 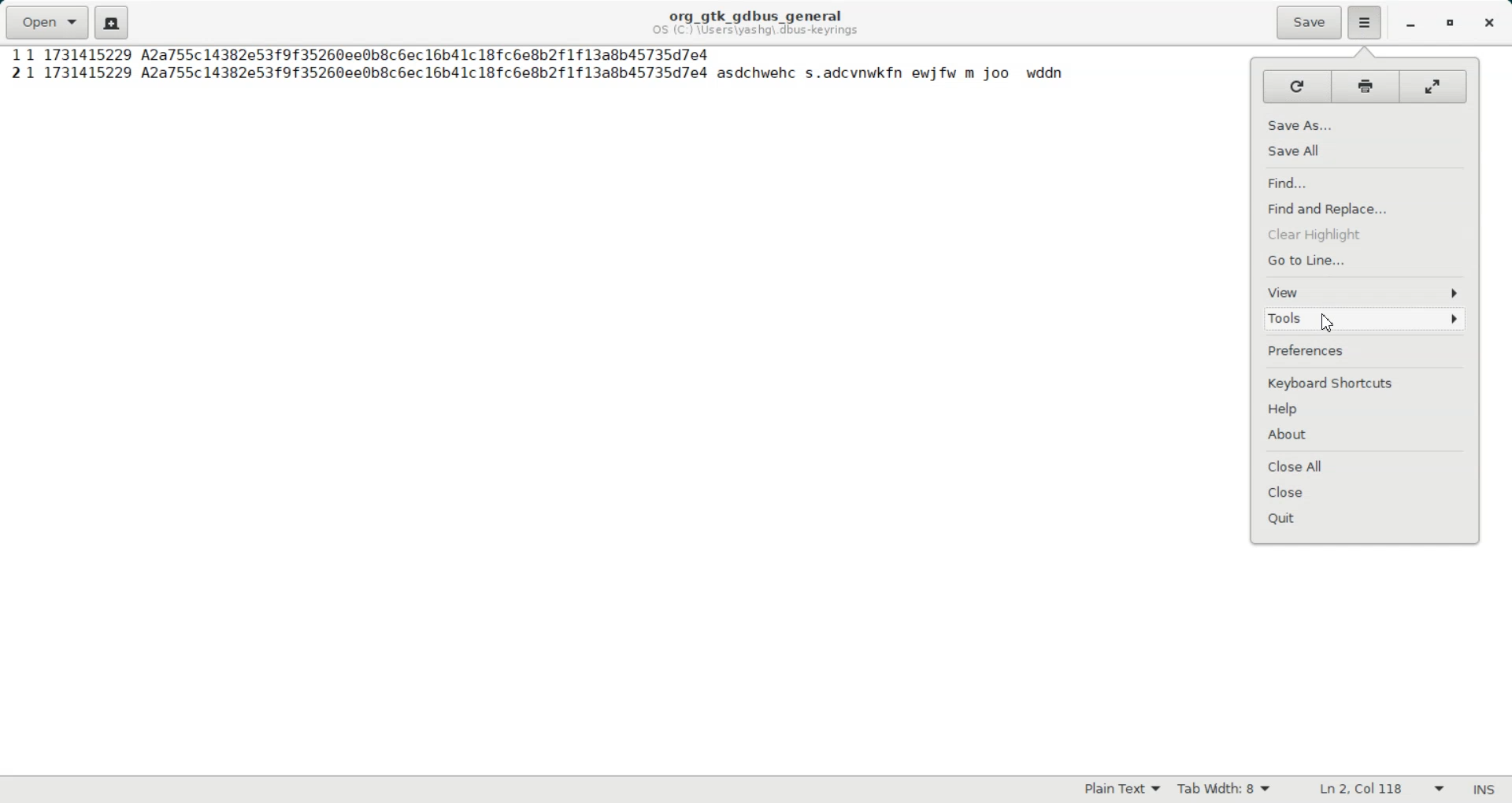 What do you see at coordinates (1366, 87) in the screenshot?
I see `Print` at bounding box center [1366, 87].